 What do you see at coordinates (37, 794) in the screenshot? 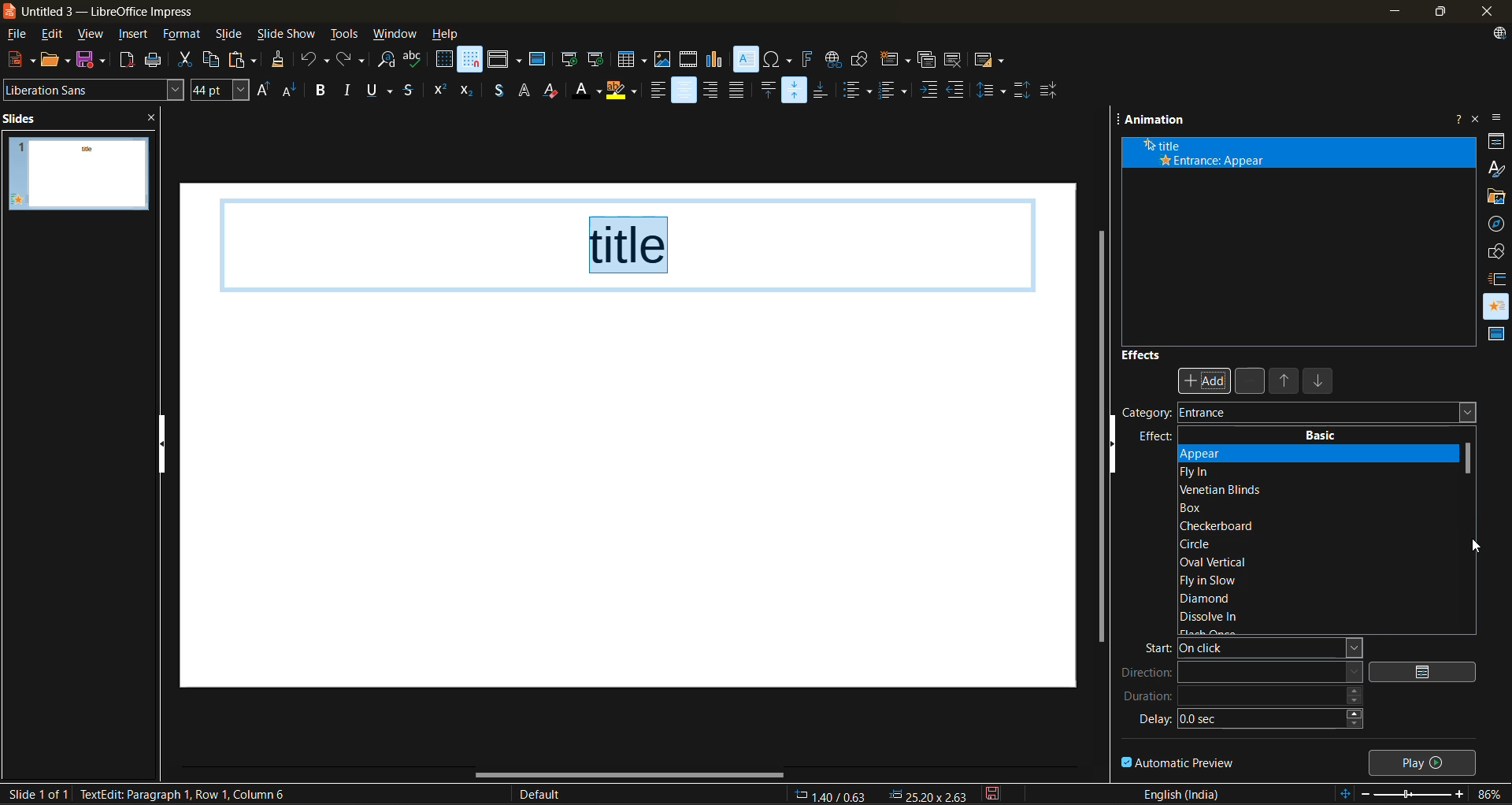
I see `slide details` at bounding box center [37, 794].